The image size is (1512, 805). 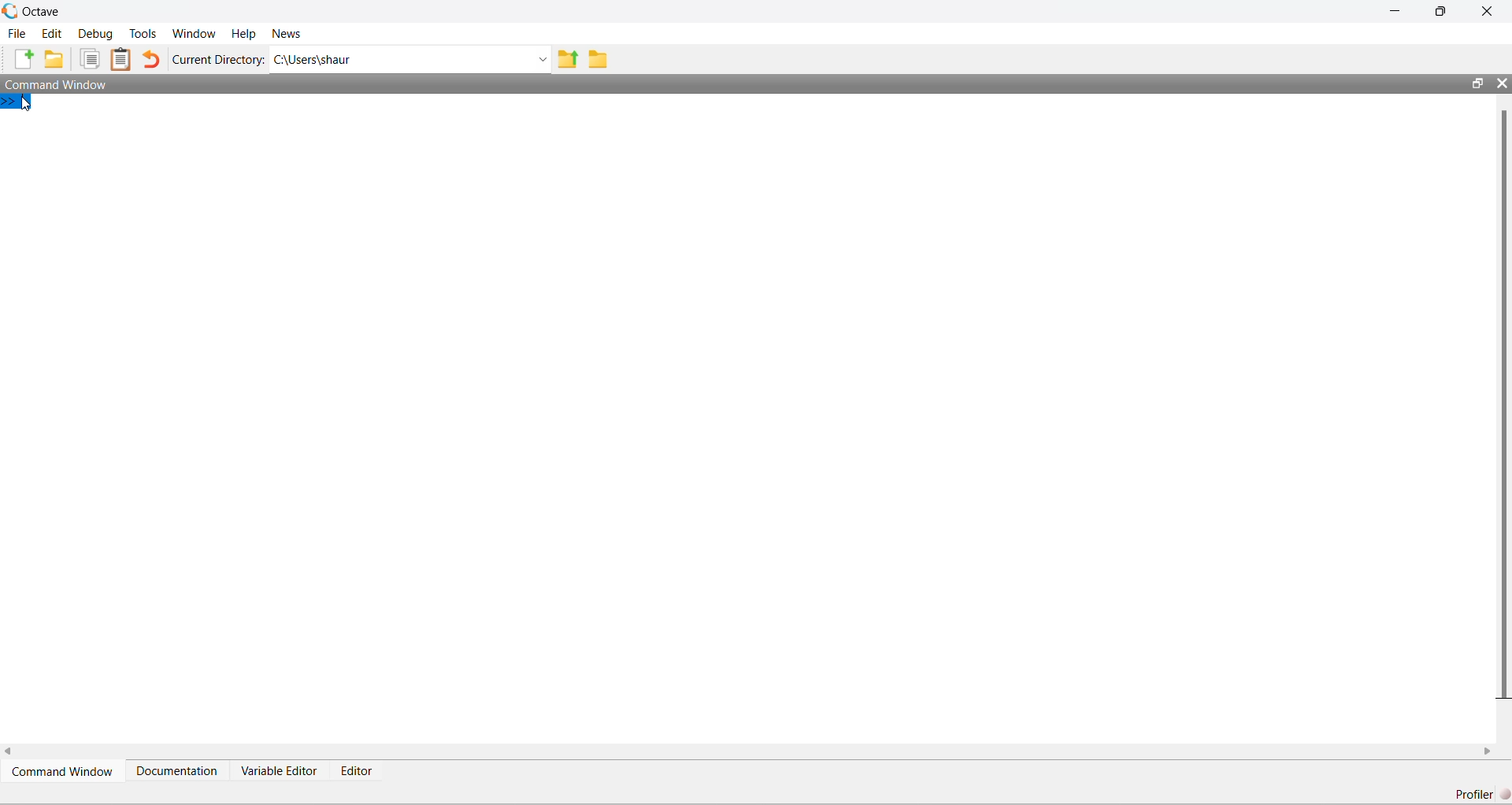 What do you see at coordinates (64, 771) in the screenshot?
I see `Command Window` at bounding box center [64, 771].